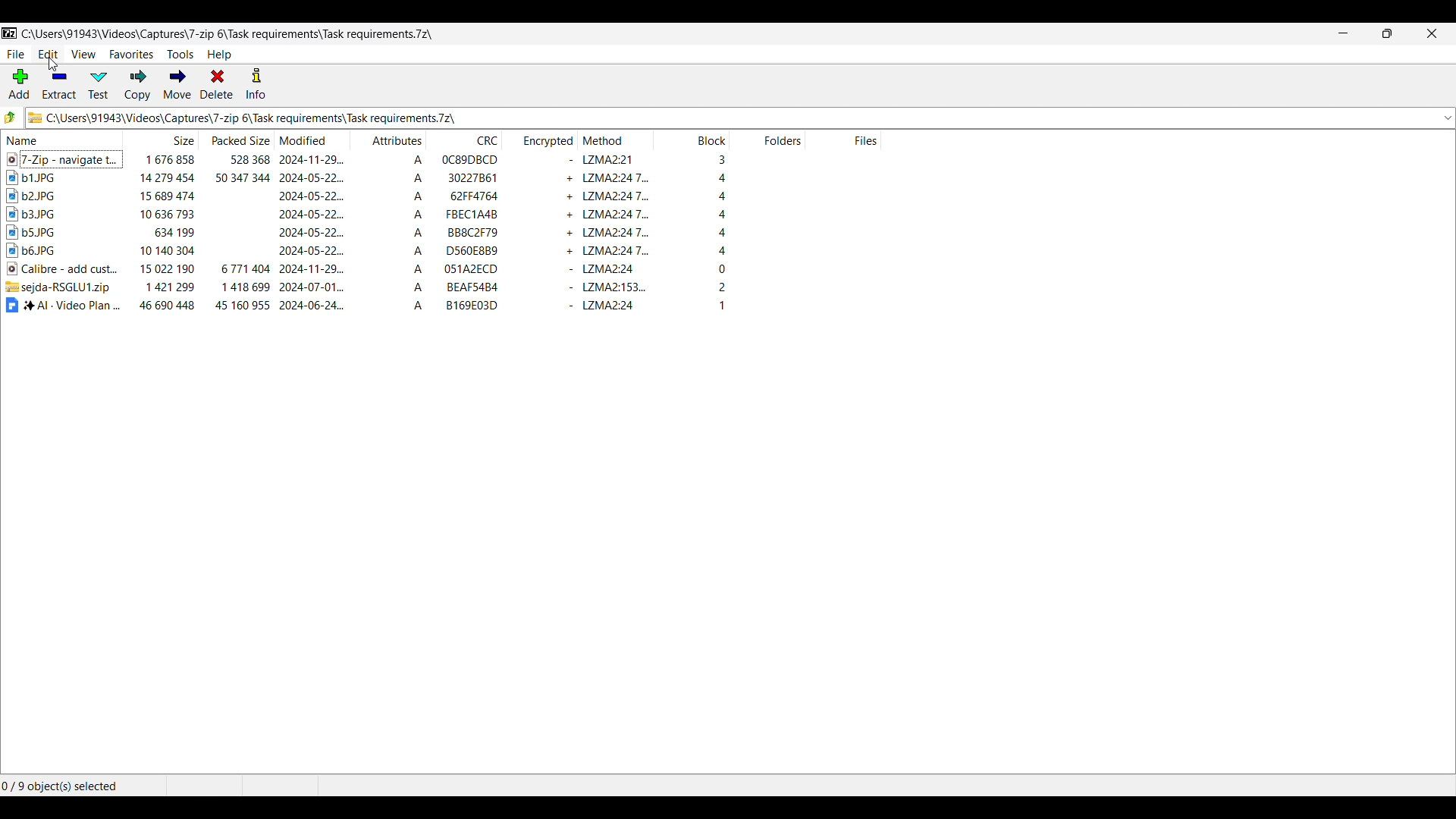 The width and height of the screenshot is (1456, 819). I want to click on Edit menu, so click(49, 55).